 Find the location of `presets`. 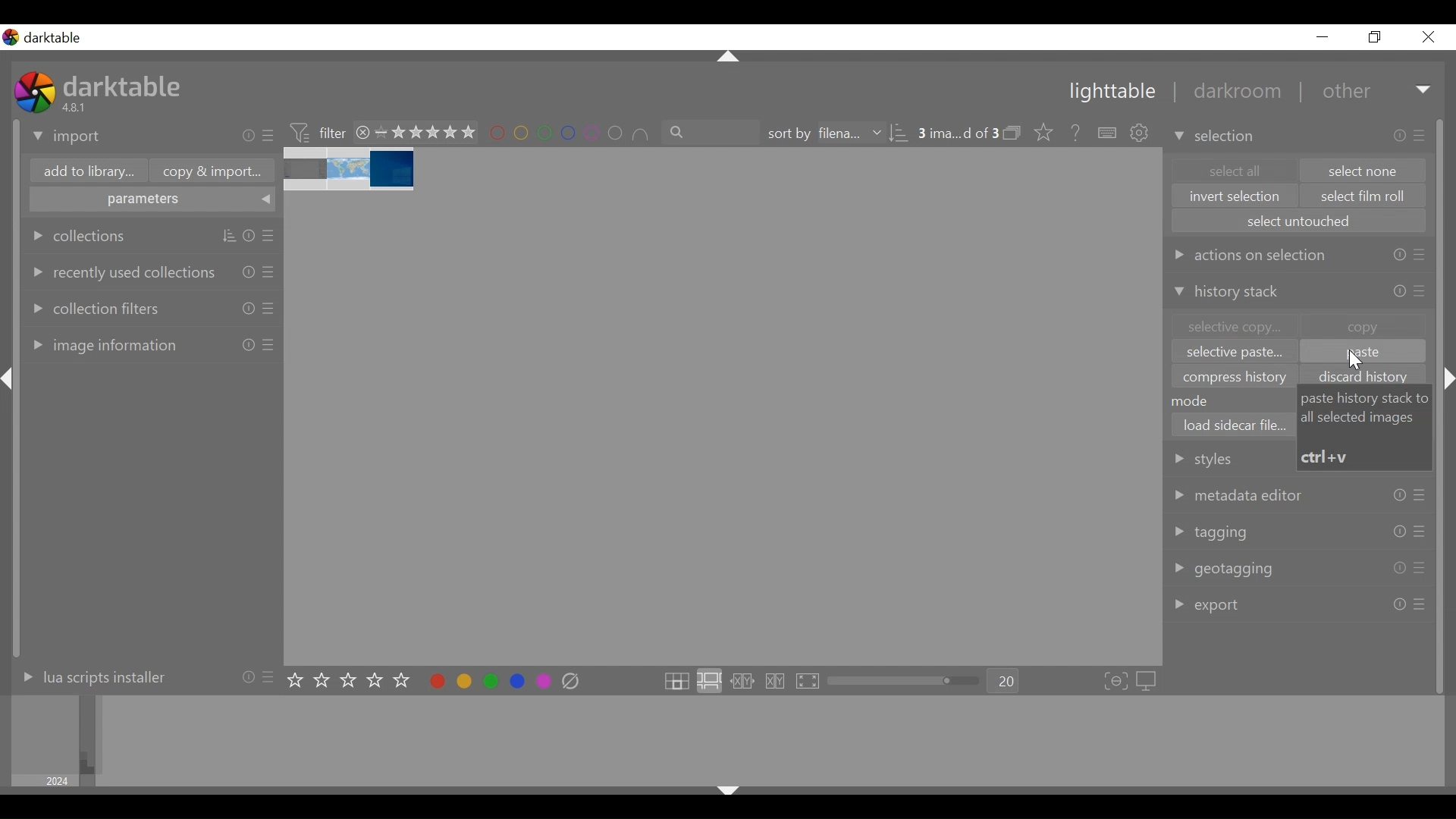

presets is located at coordinates (270, 271).